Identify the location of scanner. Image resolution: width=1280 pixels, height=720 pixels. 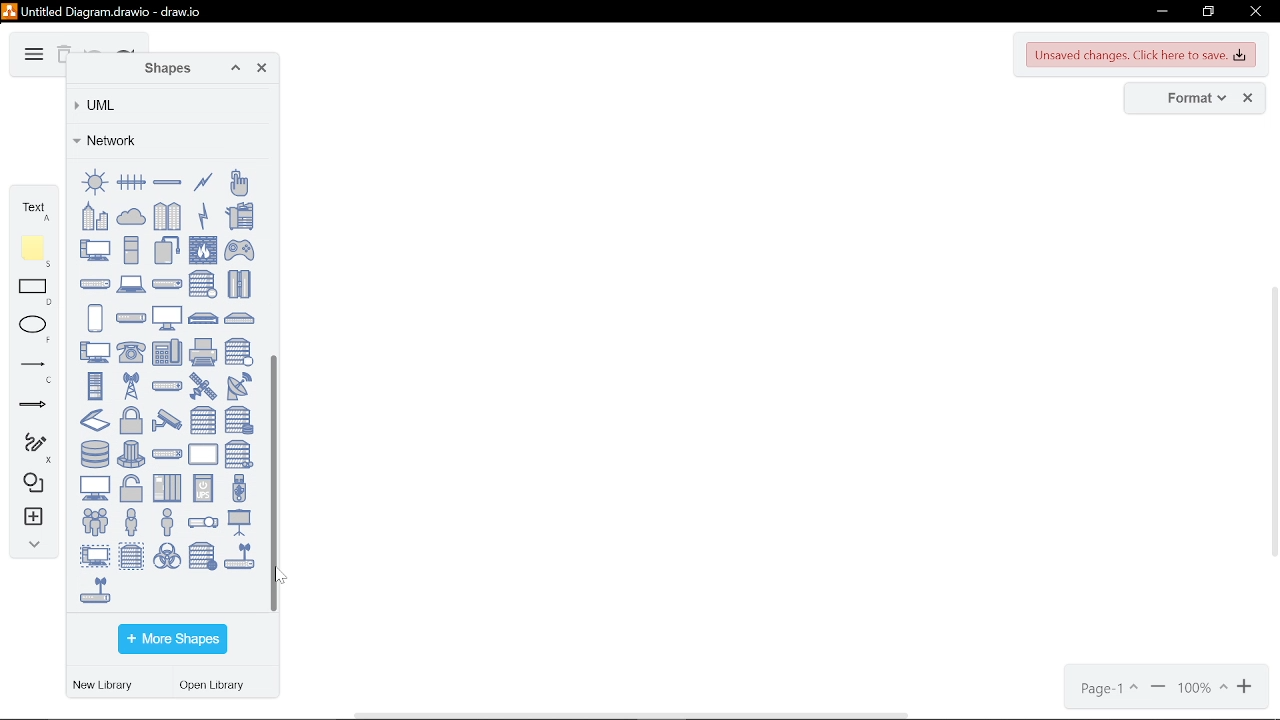
(95, 420).